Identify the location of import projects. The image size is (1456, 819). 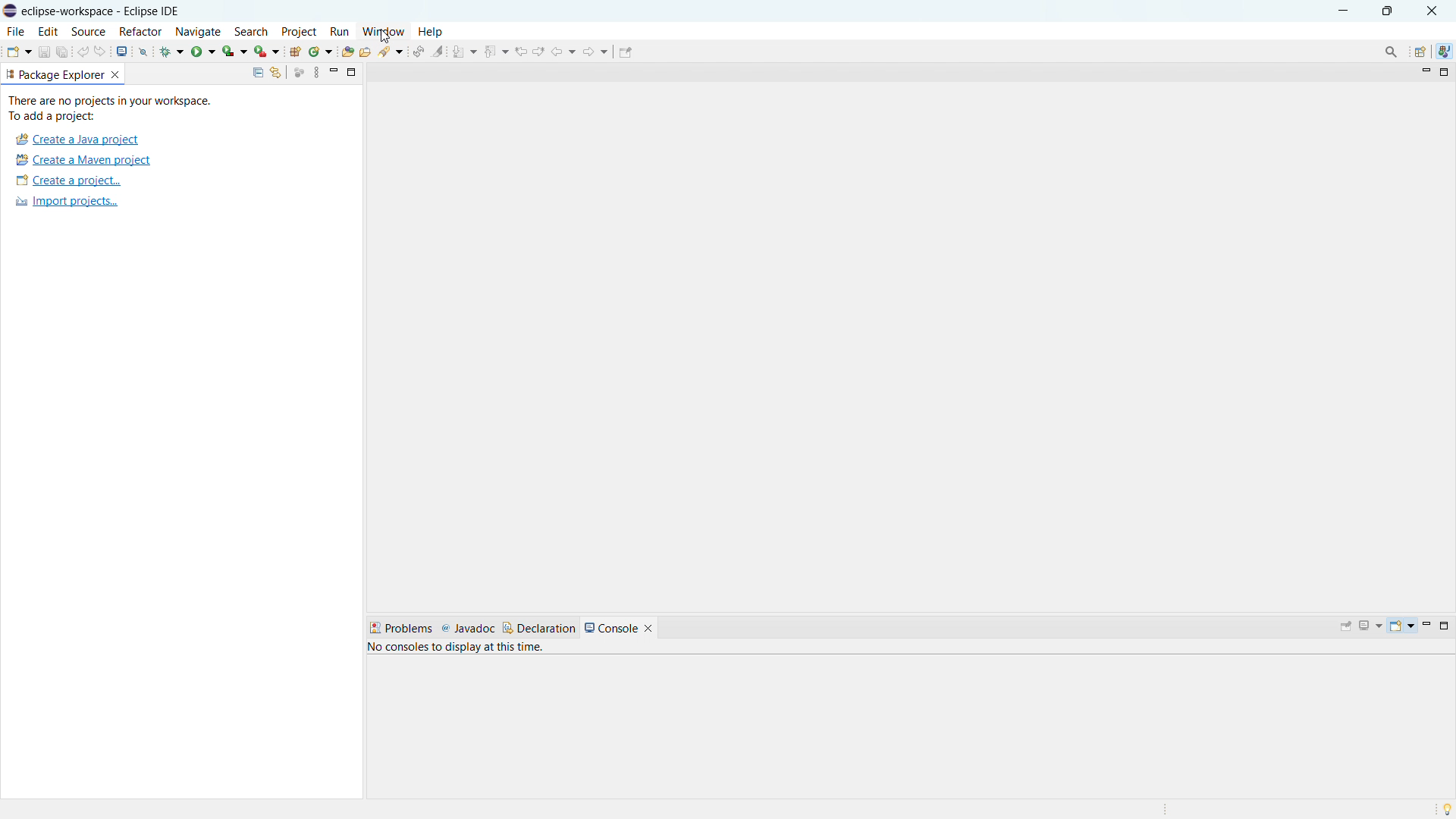
(66, 202).